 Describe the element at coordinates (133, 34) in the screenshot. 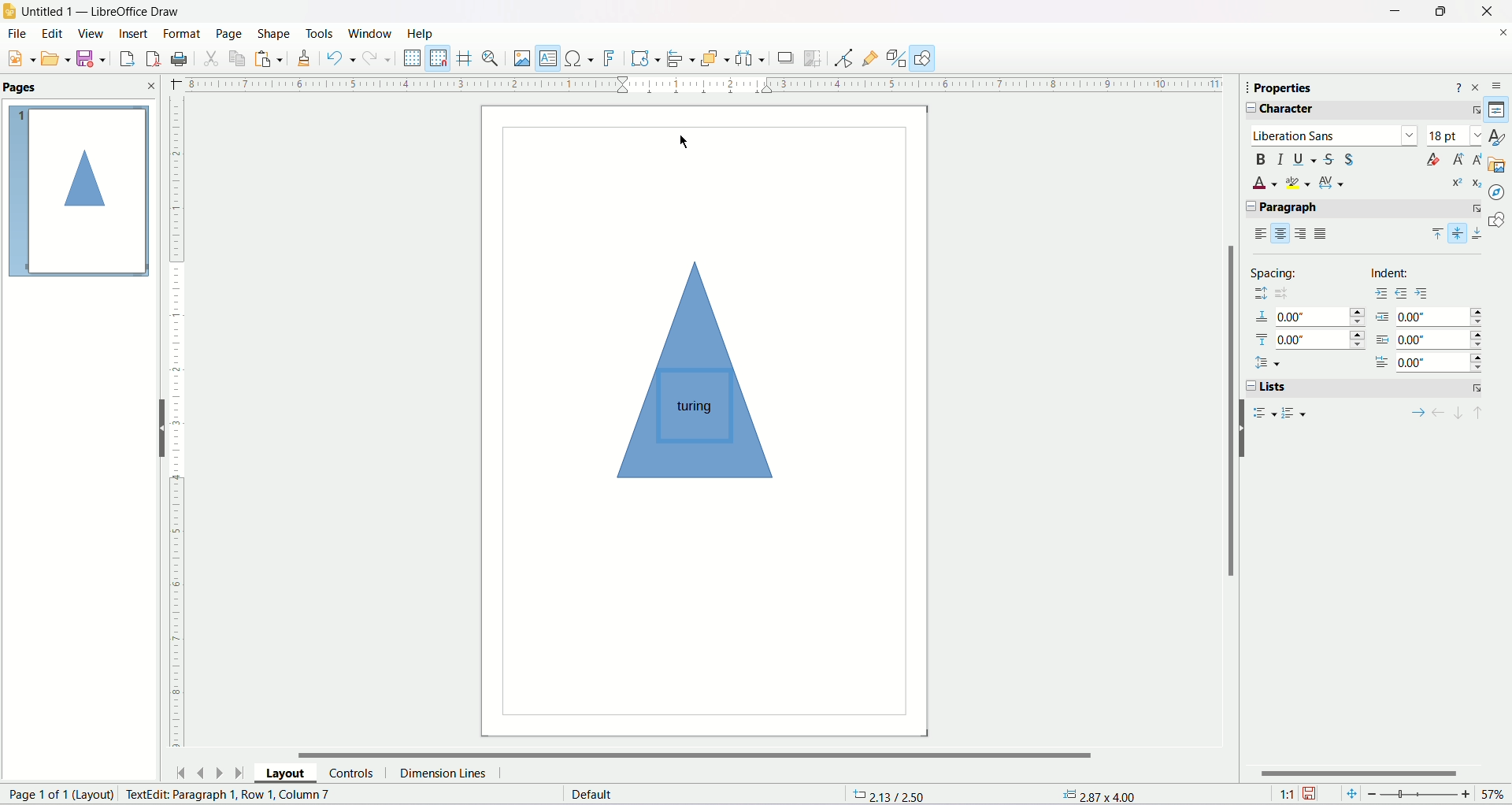

I see `Insert` at that location.